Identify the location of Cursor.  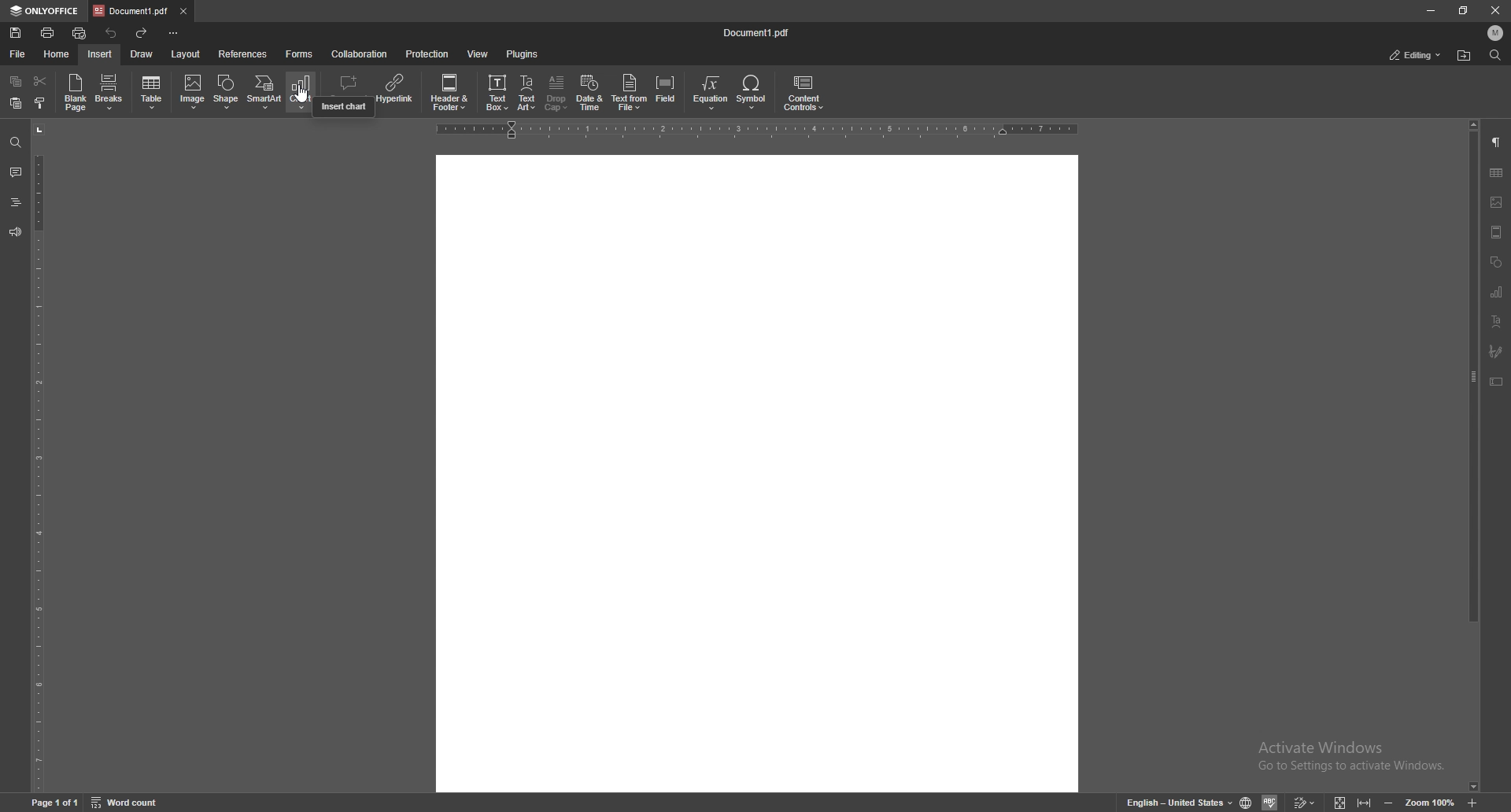
(299, 94).